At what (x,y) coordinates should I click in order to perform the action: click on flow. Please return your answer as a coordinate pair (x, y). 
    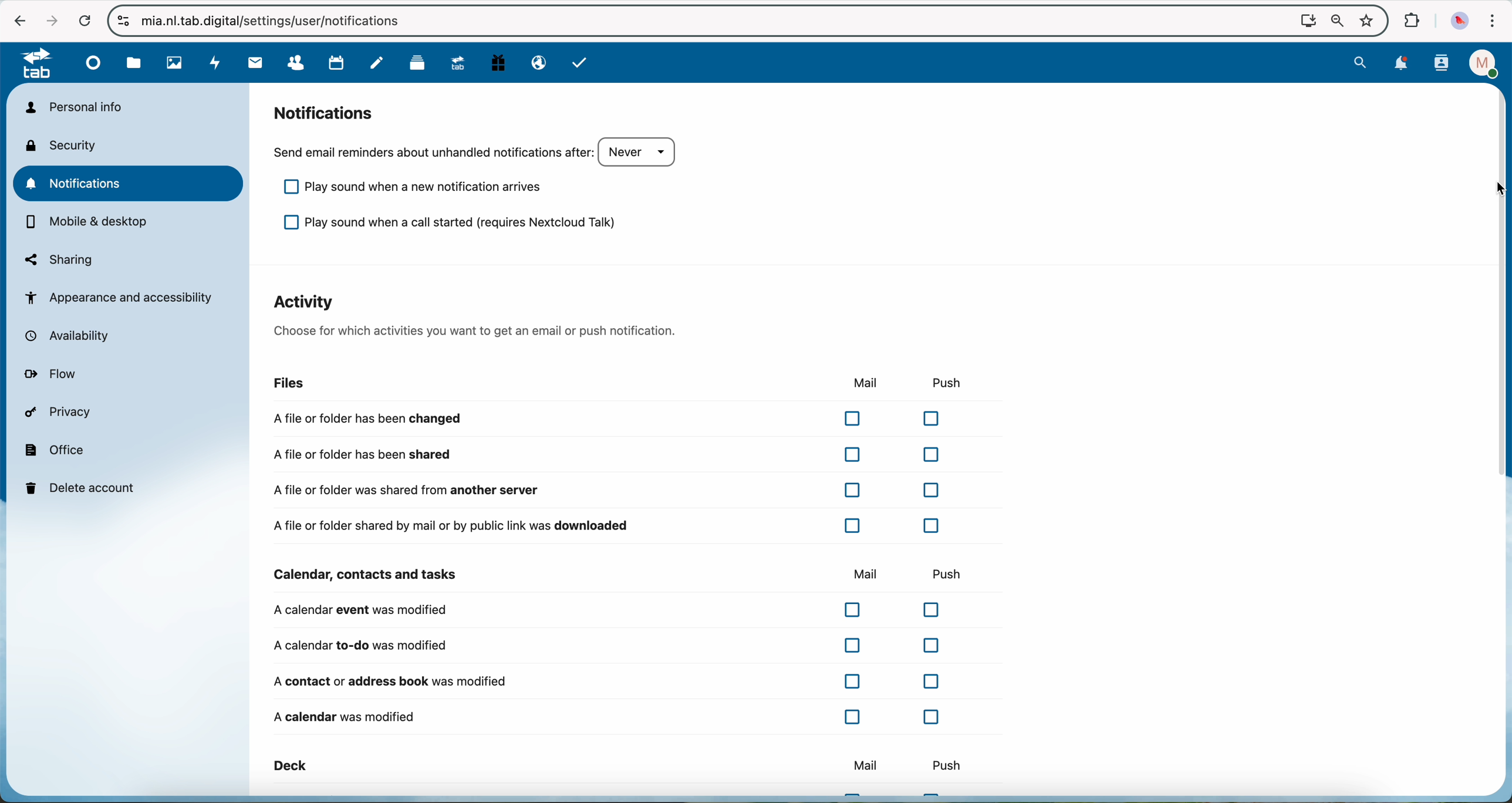
    Looking at the image, I should click on (54, 375).